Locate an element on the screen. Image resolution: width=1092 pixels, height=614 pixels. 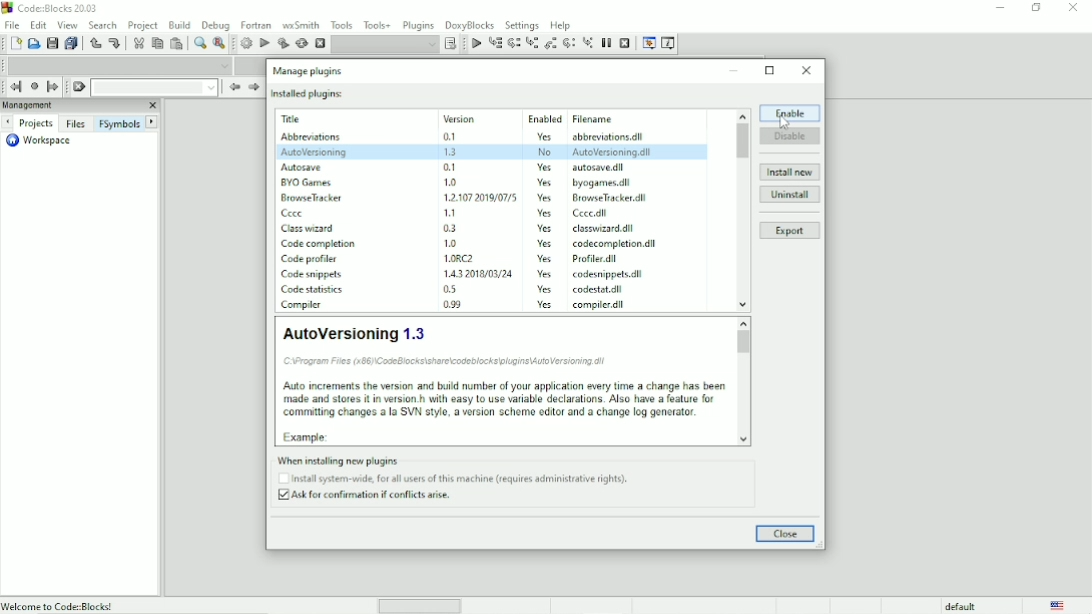
version  is located at coordinates (454, 289).